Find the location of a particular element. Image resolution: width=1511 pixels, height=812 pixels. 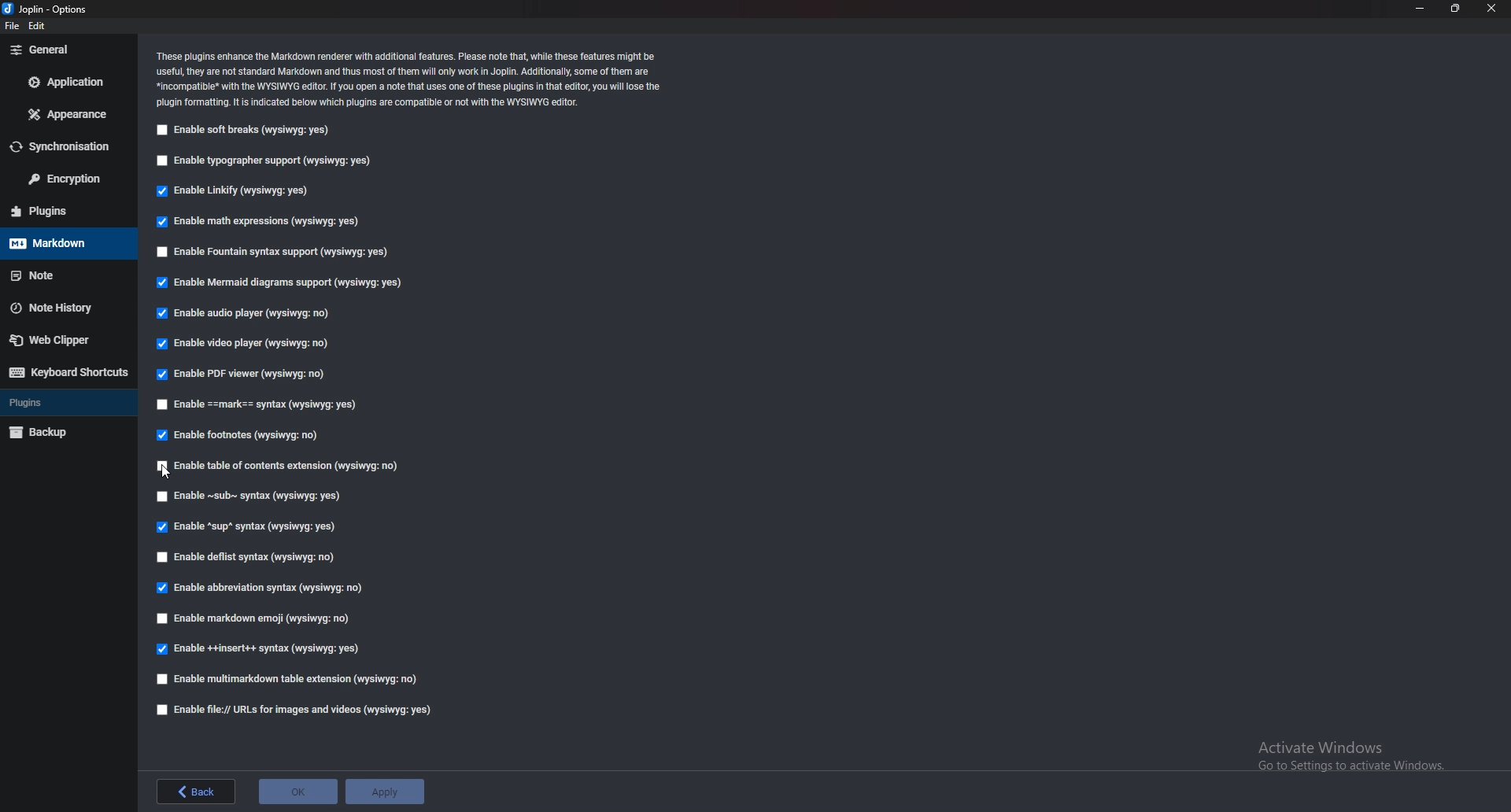

Enable audio player is located at coordinates (252, 316).